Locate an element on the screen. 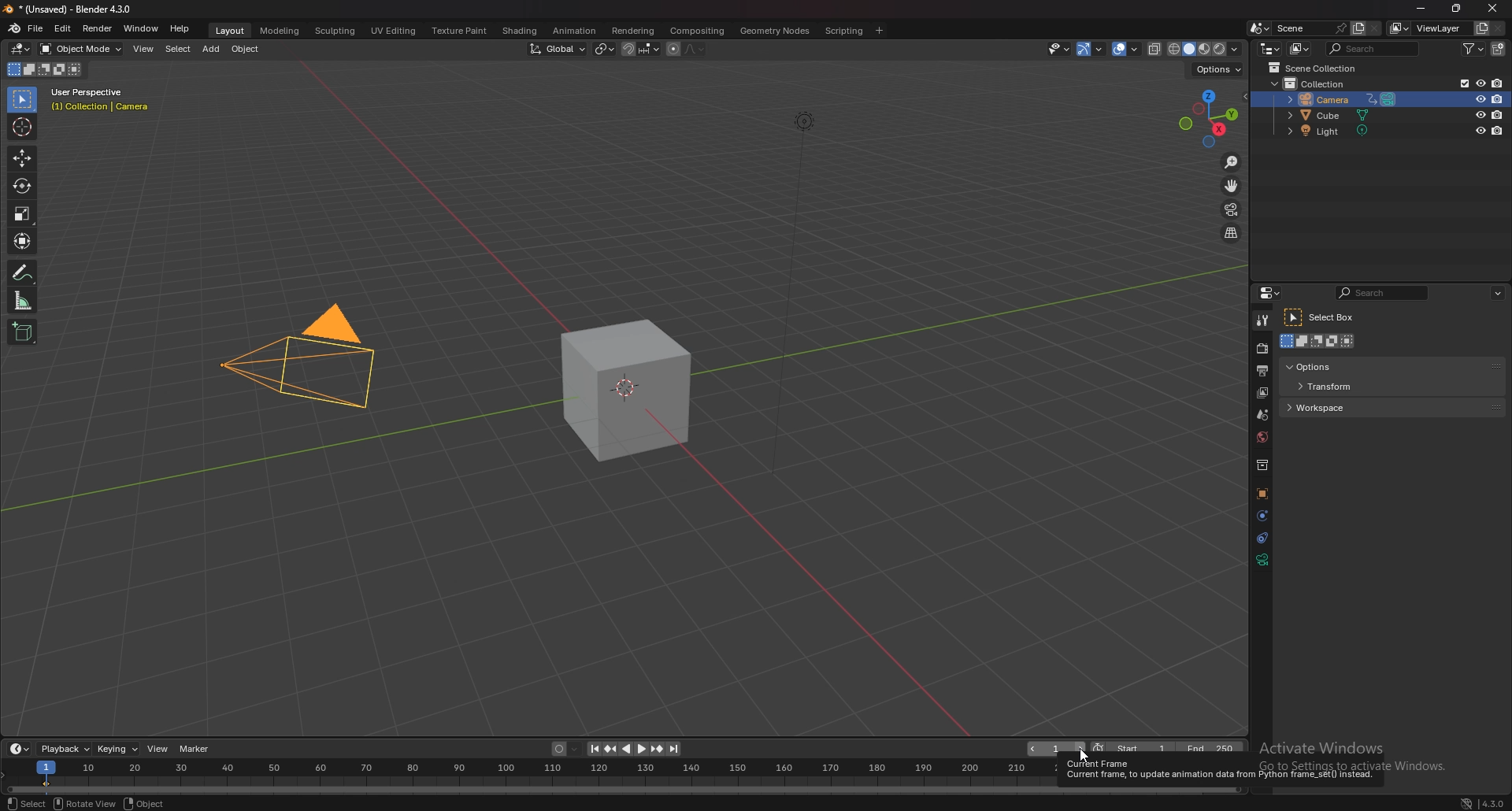 The height and width of the screenshot is (811, 1512). viewport shading is located at coordinates (1205, 50).